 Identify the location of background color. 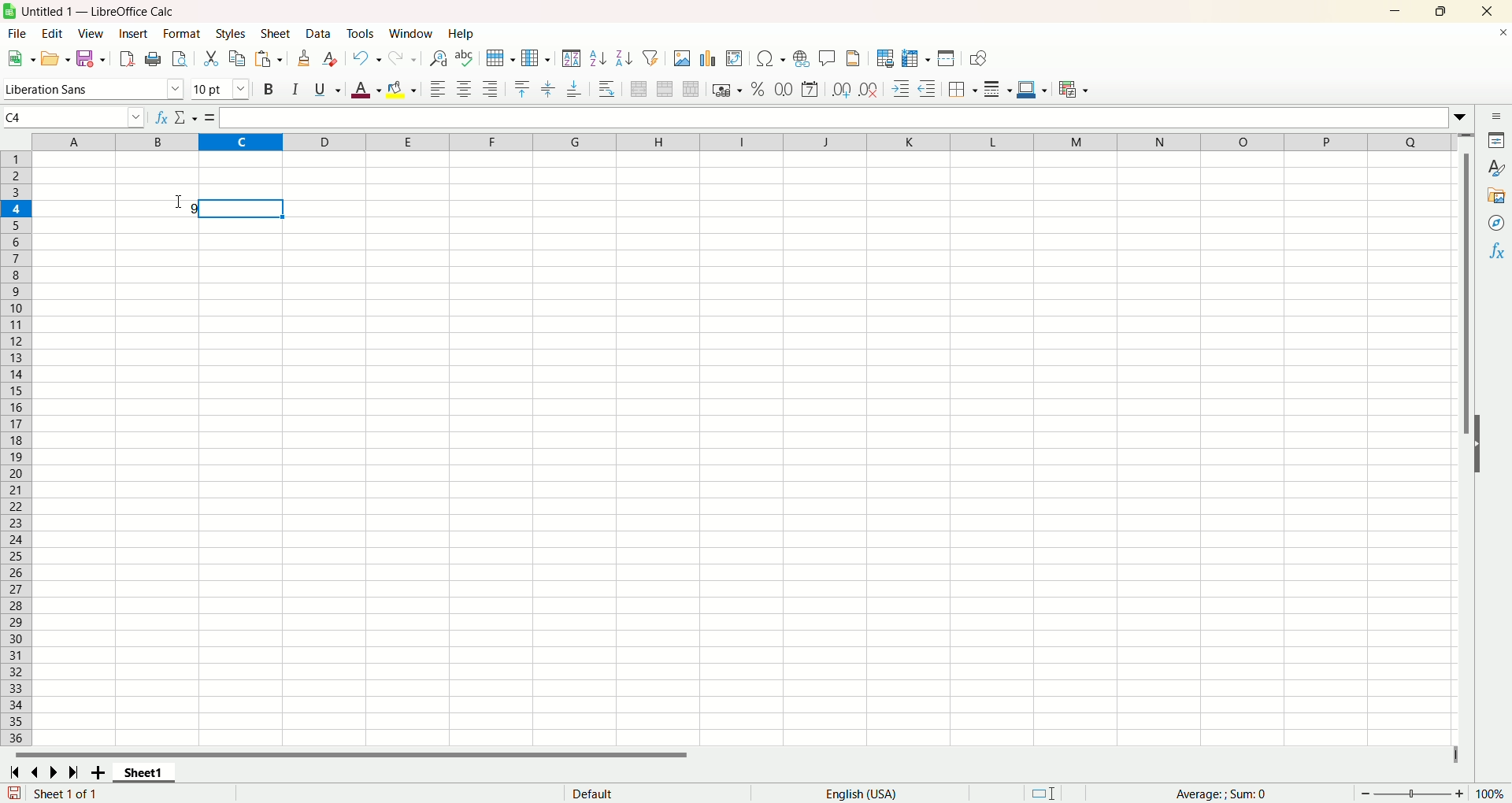
(403, 89).